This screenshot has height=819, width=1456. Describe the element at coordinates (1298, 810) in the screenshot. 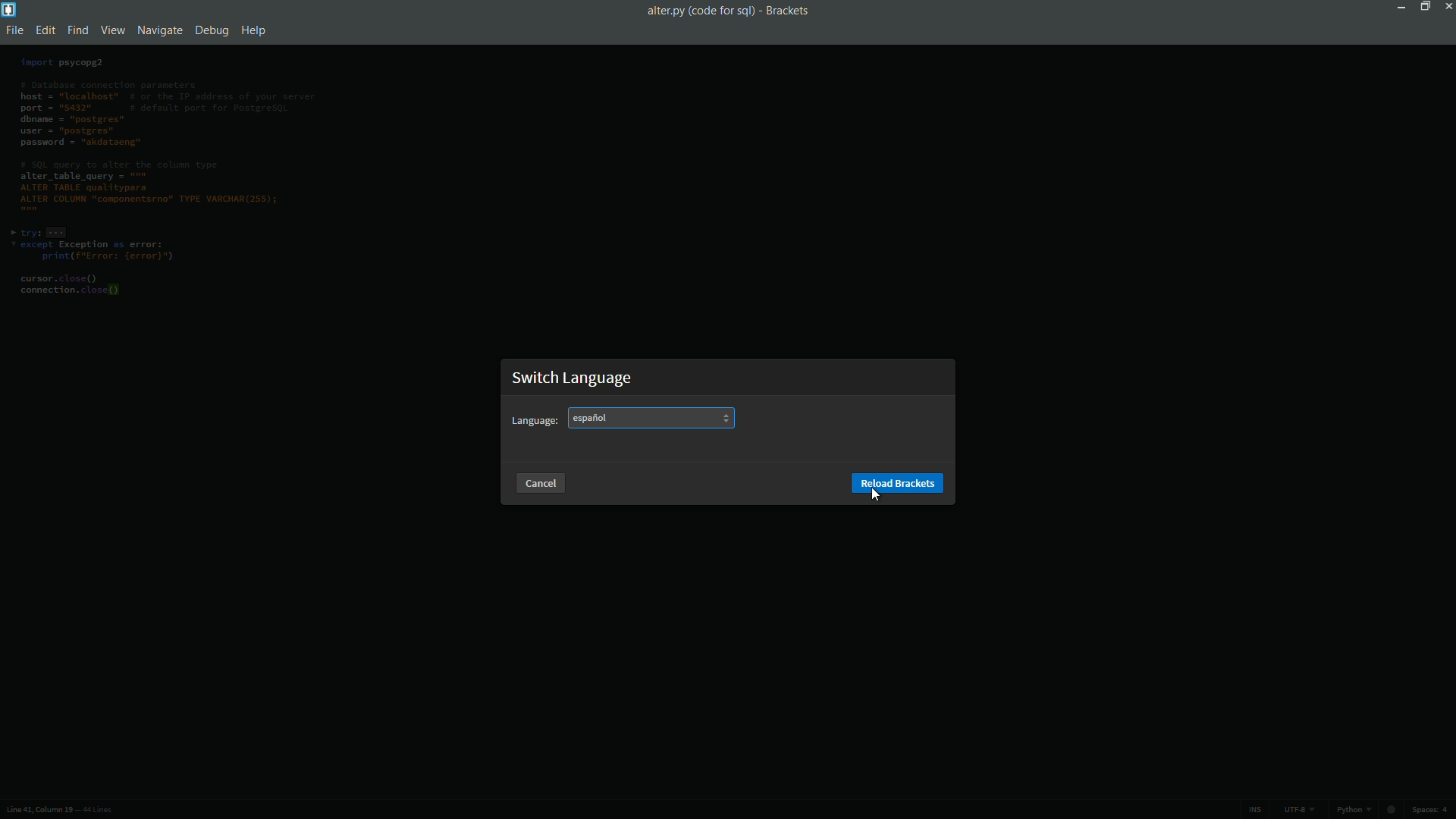

I see `file encoding` at that location.